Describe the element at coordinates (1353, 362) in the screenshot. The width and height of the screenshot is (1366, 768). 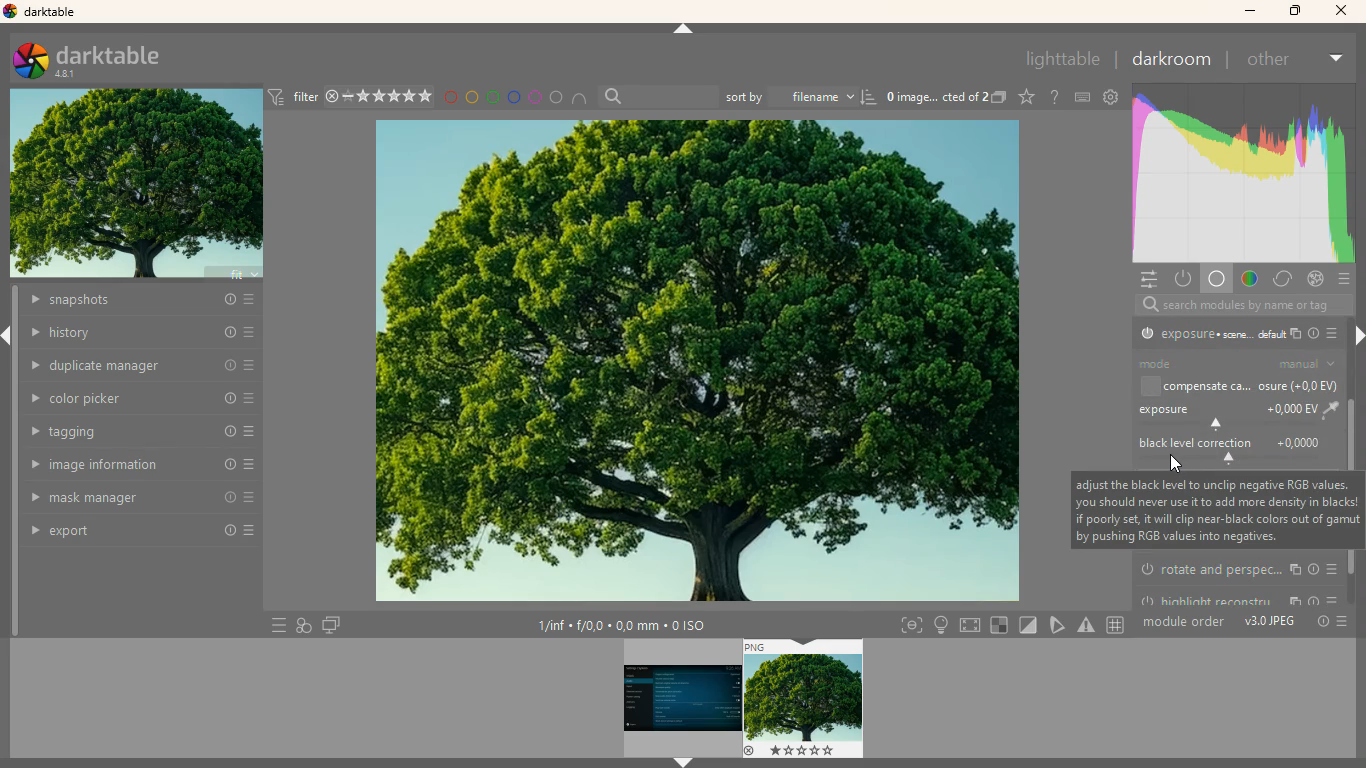
I see `scroll` at that location.